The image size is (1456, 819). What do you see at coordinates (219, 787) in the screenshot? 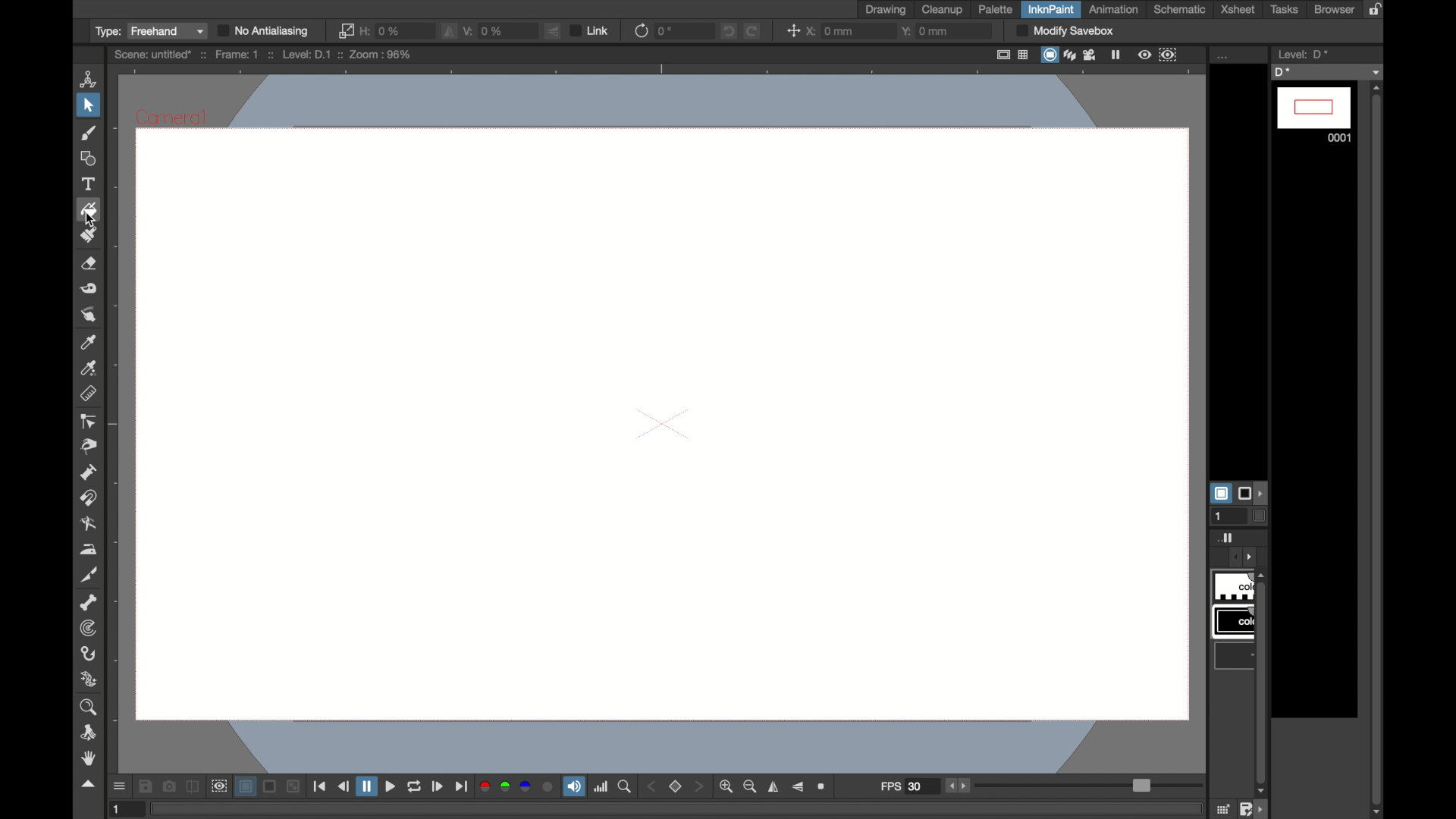
I see `preview` at bounding box center [219, 787].